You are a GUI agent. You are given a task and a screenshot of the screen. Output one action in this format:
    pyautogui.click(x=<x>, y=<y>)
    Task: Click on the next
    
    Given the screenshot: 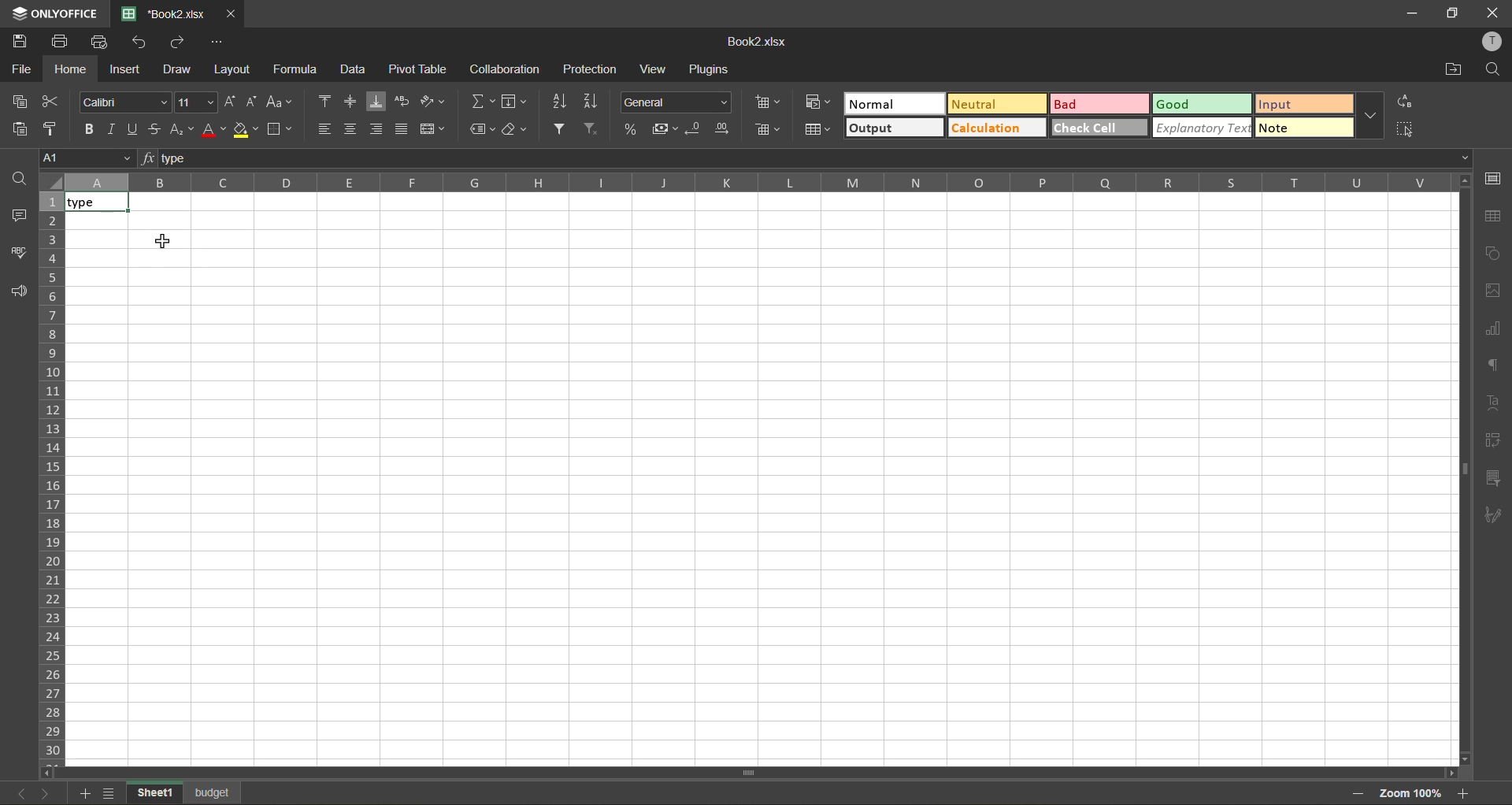 What is the action you would take?
    pyautogui.click(x=50, y=793)
    